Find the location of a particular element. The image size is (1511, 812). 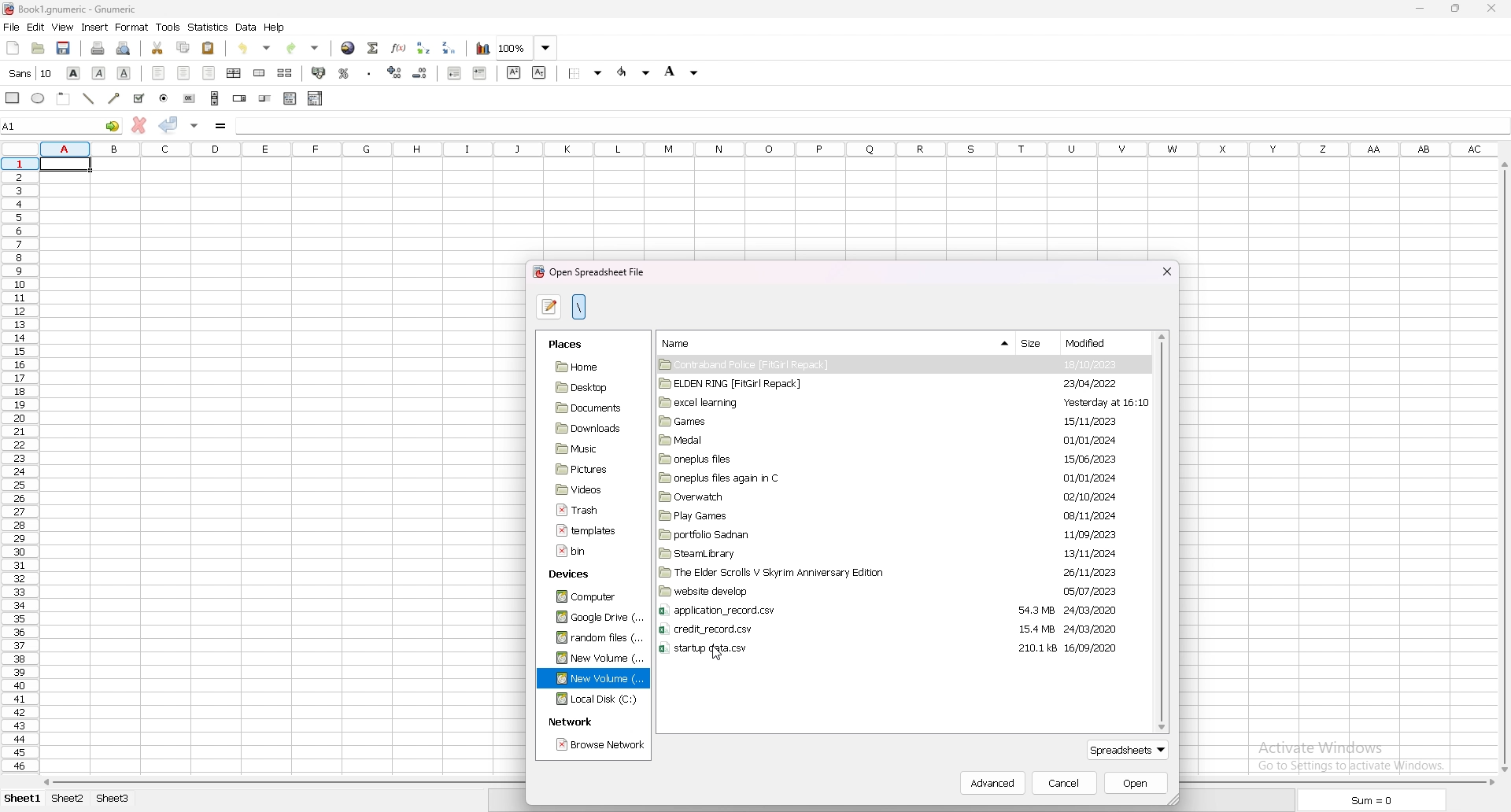

slider is located at coordinates (265, 98).